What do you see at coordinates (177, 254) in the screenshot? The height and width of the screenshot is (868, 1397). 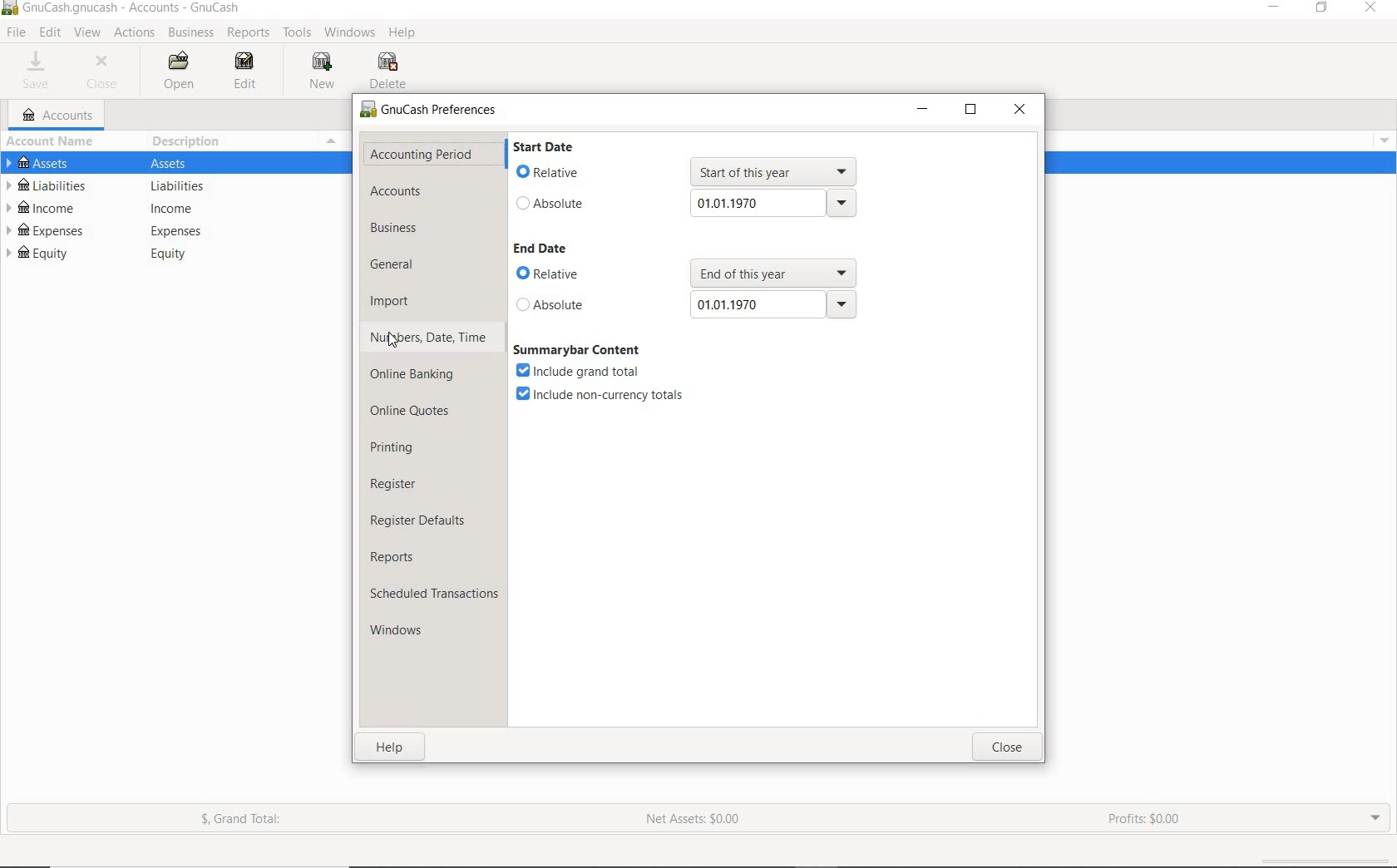 I see `EQUITY` at bounding box center [177, 254].